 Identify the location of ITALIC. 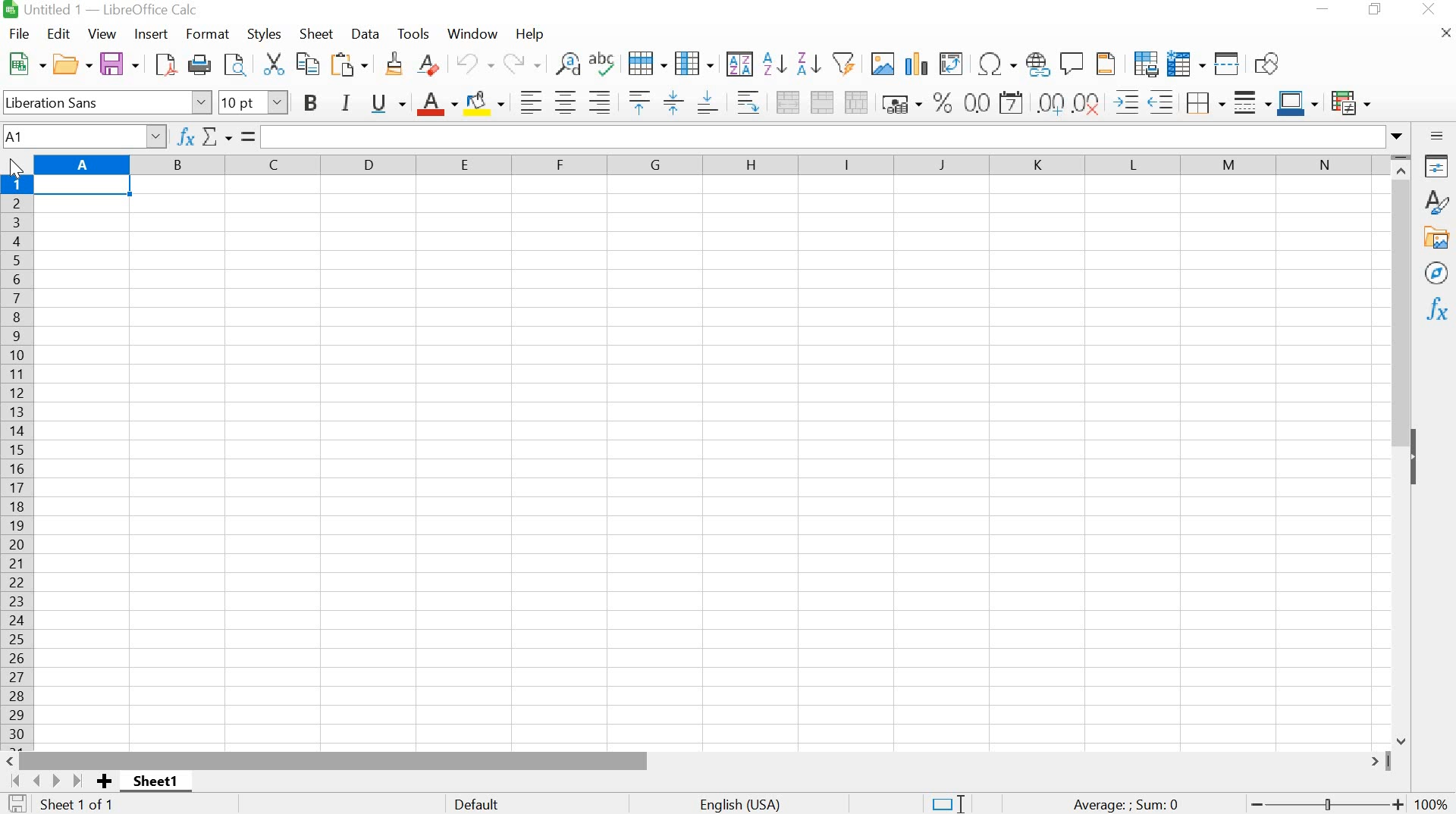
(346, 103).